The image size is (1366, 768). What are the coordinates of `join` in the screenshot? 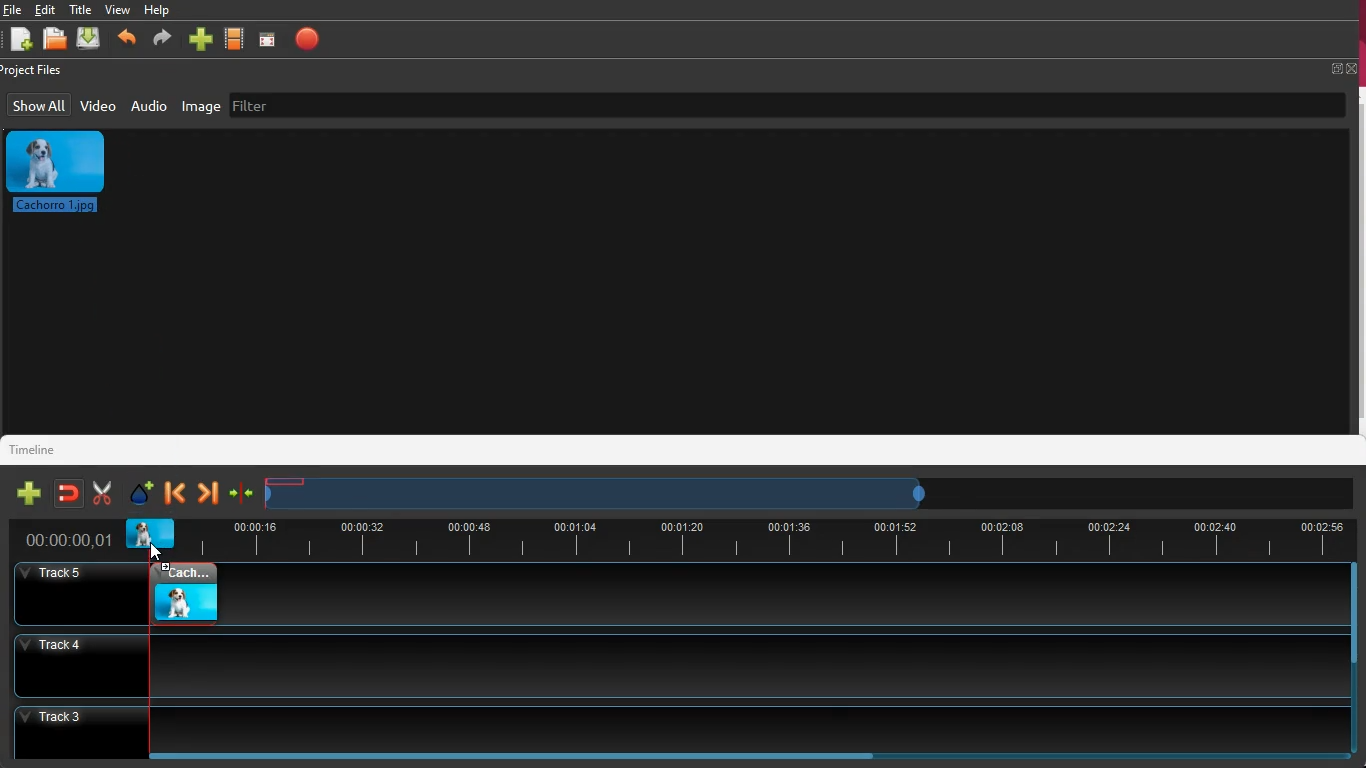 It's located at (70, 493).